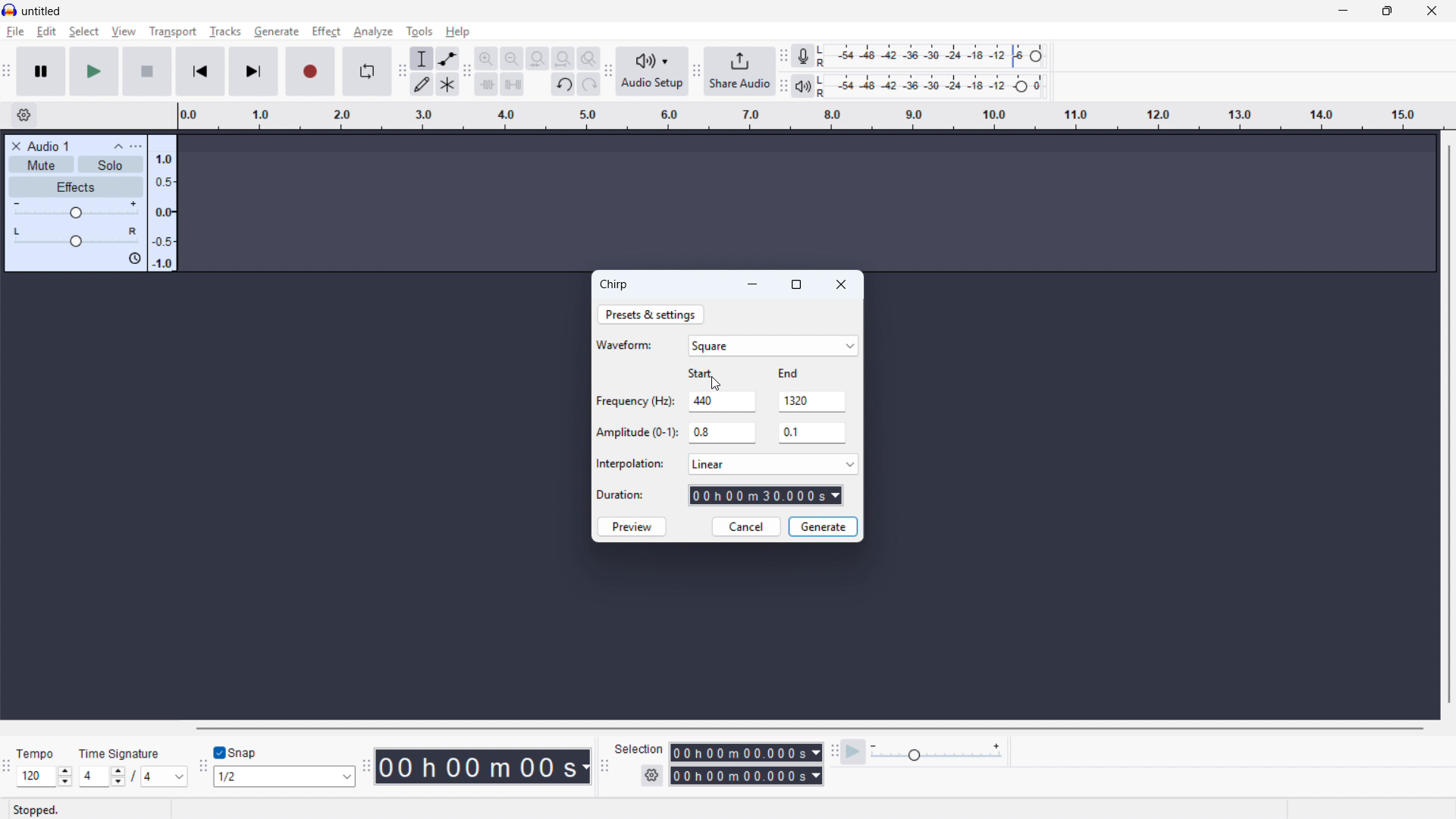  I want to click on Vertical scroll bar , so click(1449, 425).